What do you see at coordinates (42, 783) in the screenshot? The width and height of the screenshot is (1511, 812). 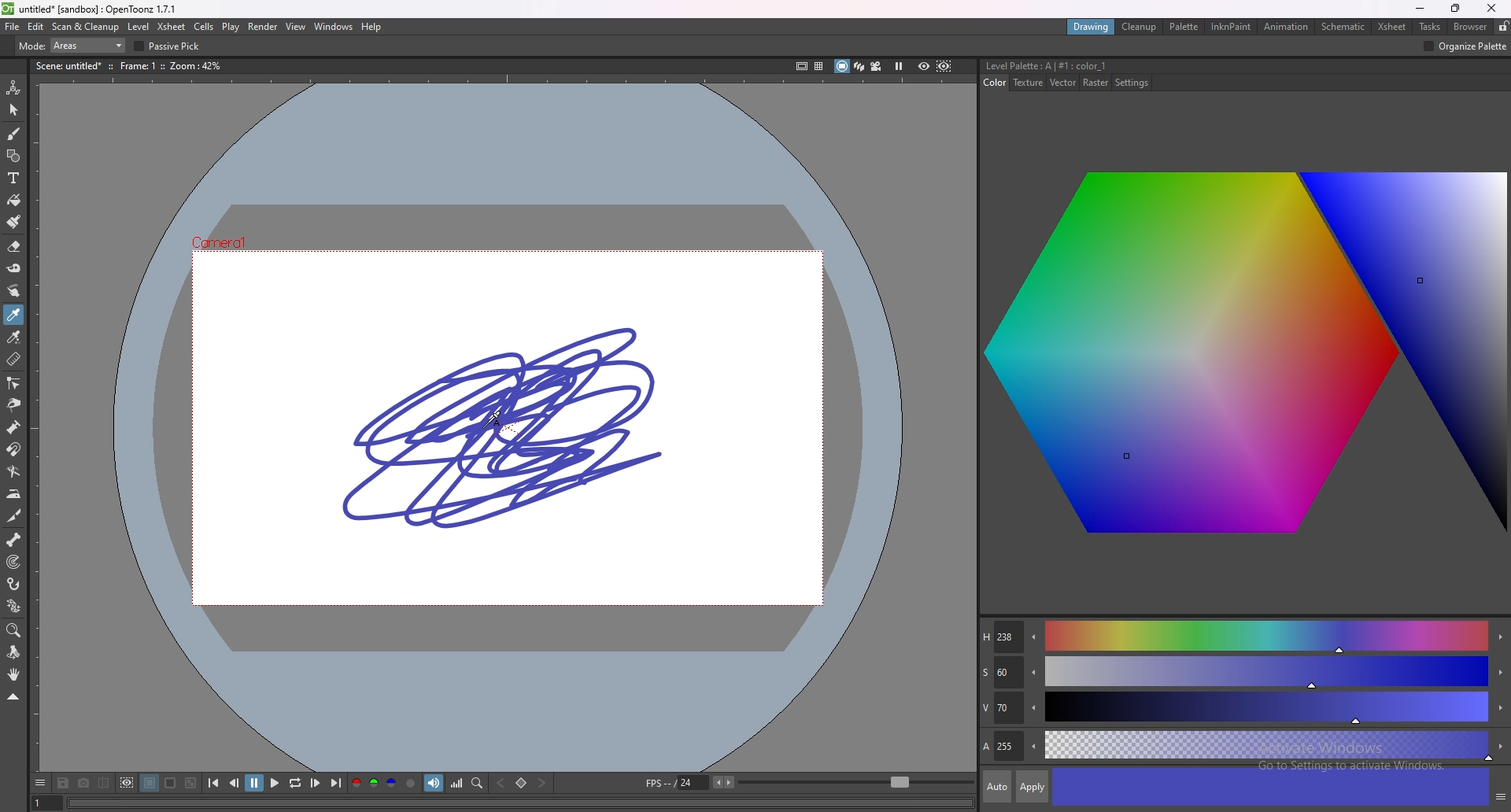 I see `options` at bounding box center [42, 783].